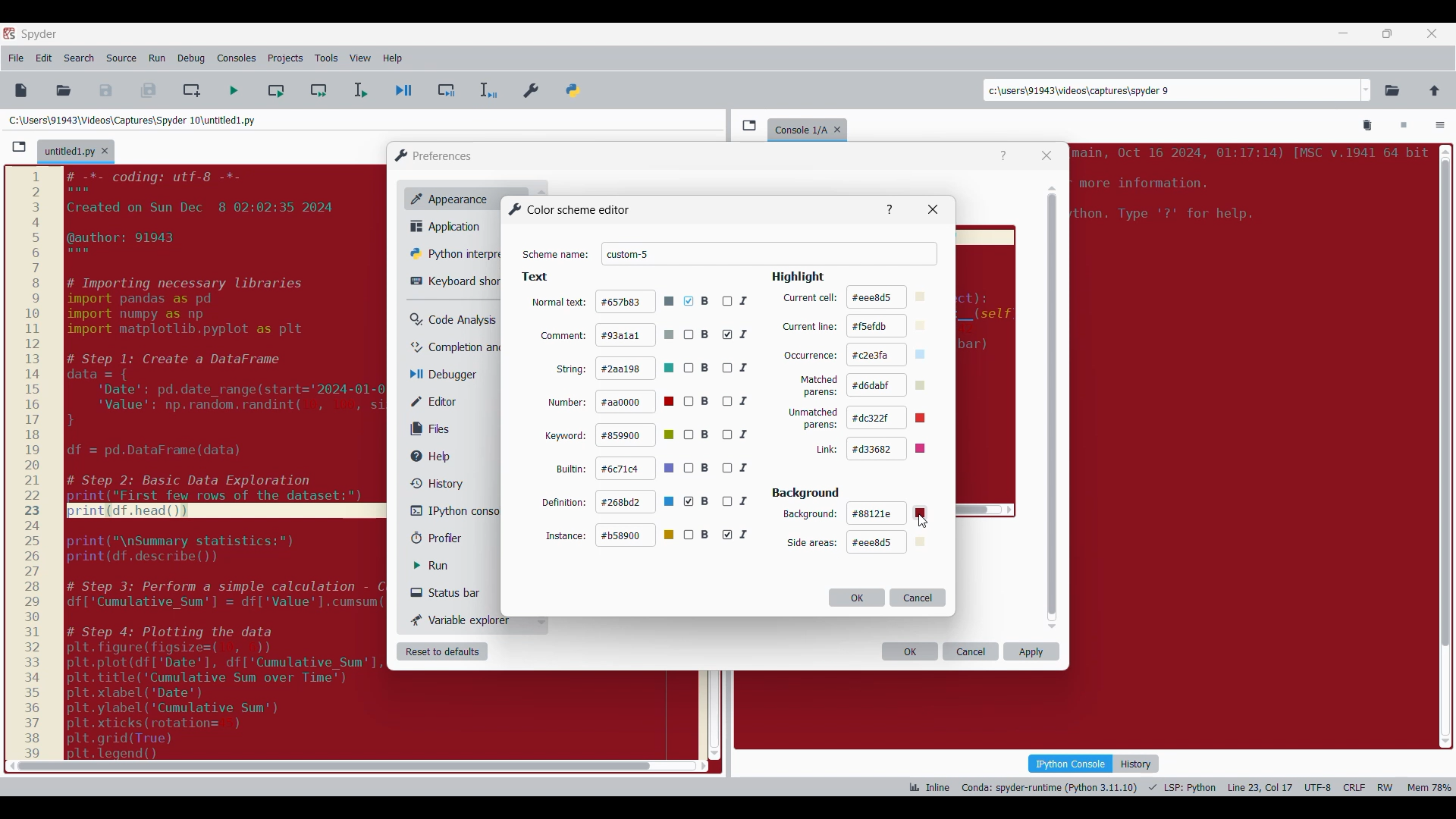 The height and width of the screenshot is (819, 1456). What do you see at coordinates (453, 320) in the screenshot?
I see `Code analysis` at bounding box center [453, 320].